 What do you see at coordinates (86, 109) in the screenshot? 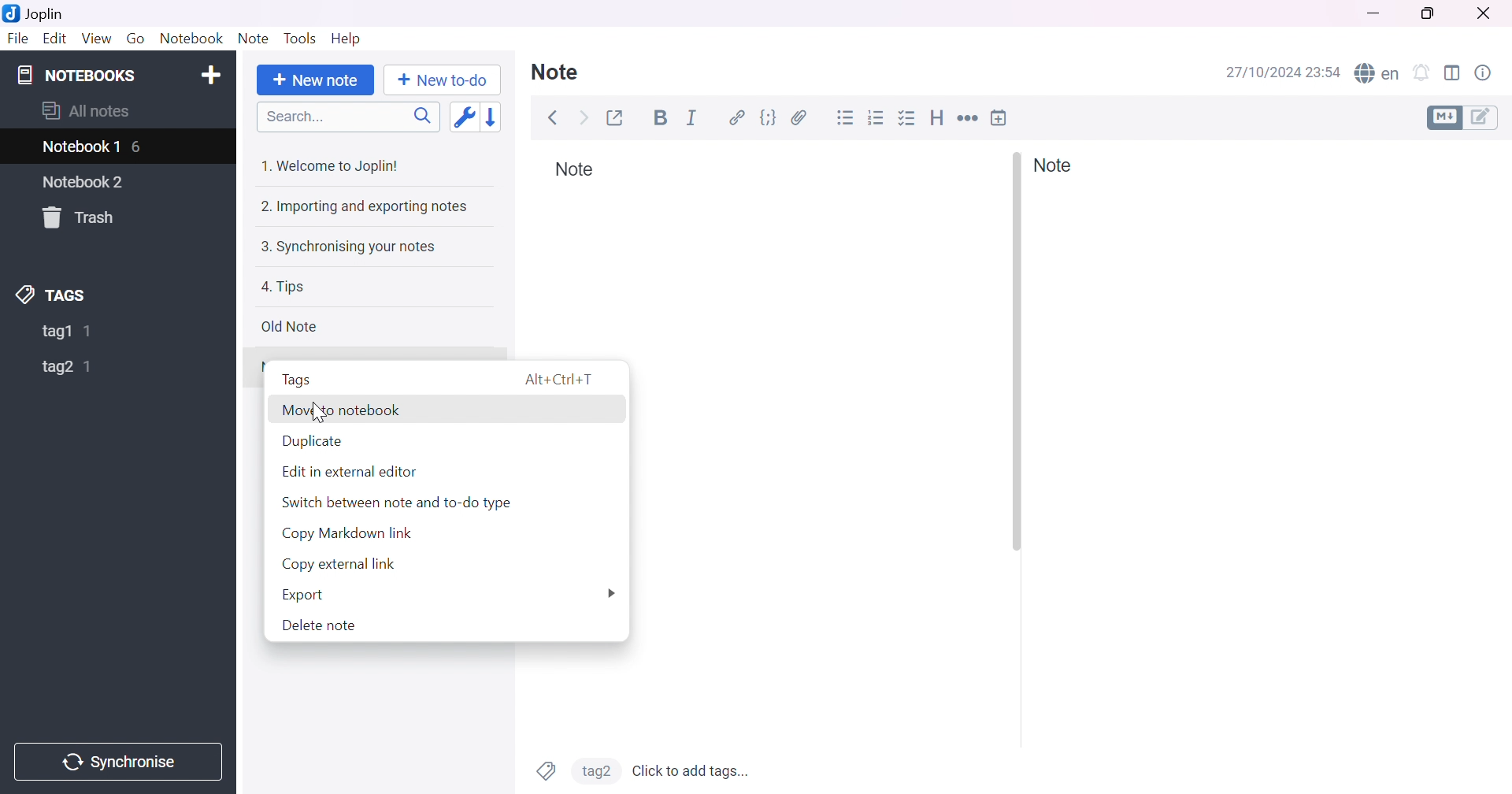
I see `All notes` at bounding box center [86, 109].